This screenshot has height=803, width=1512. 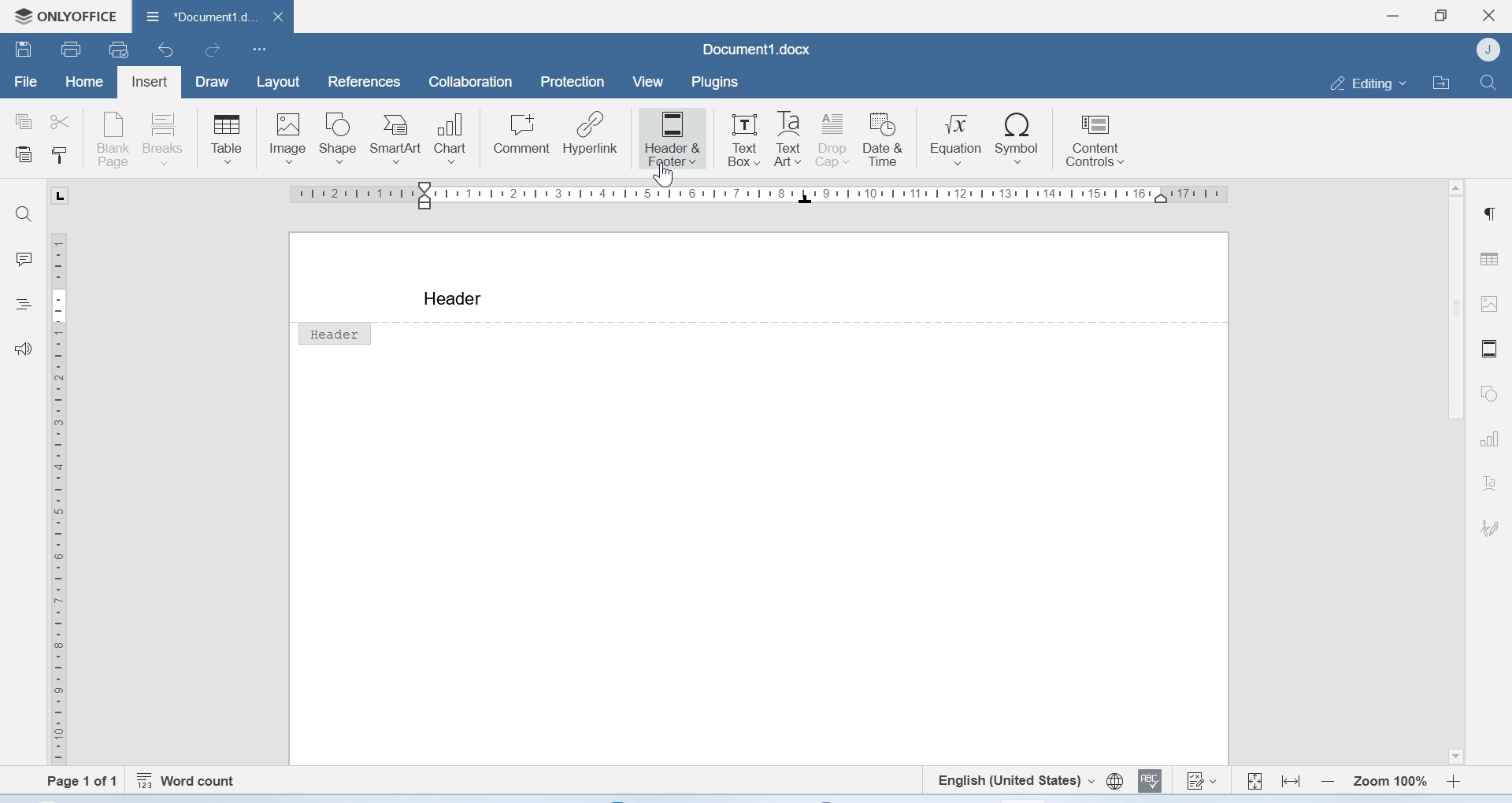 What do you see at coordinates (1451, 314) in the screenshot?
I see `Scrollbar` at bounding box center [1451, 314].